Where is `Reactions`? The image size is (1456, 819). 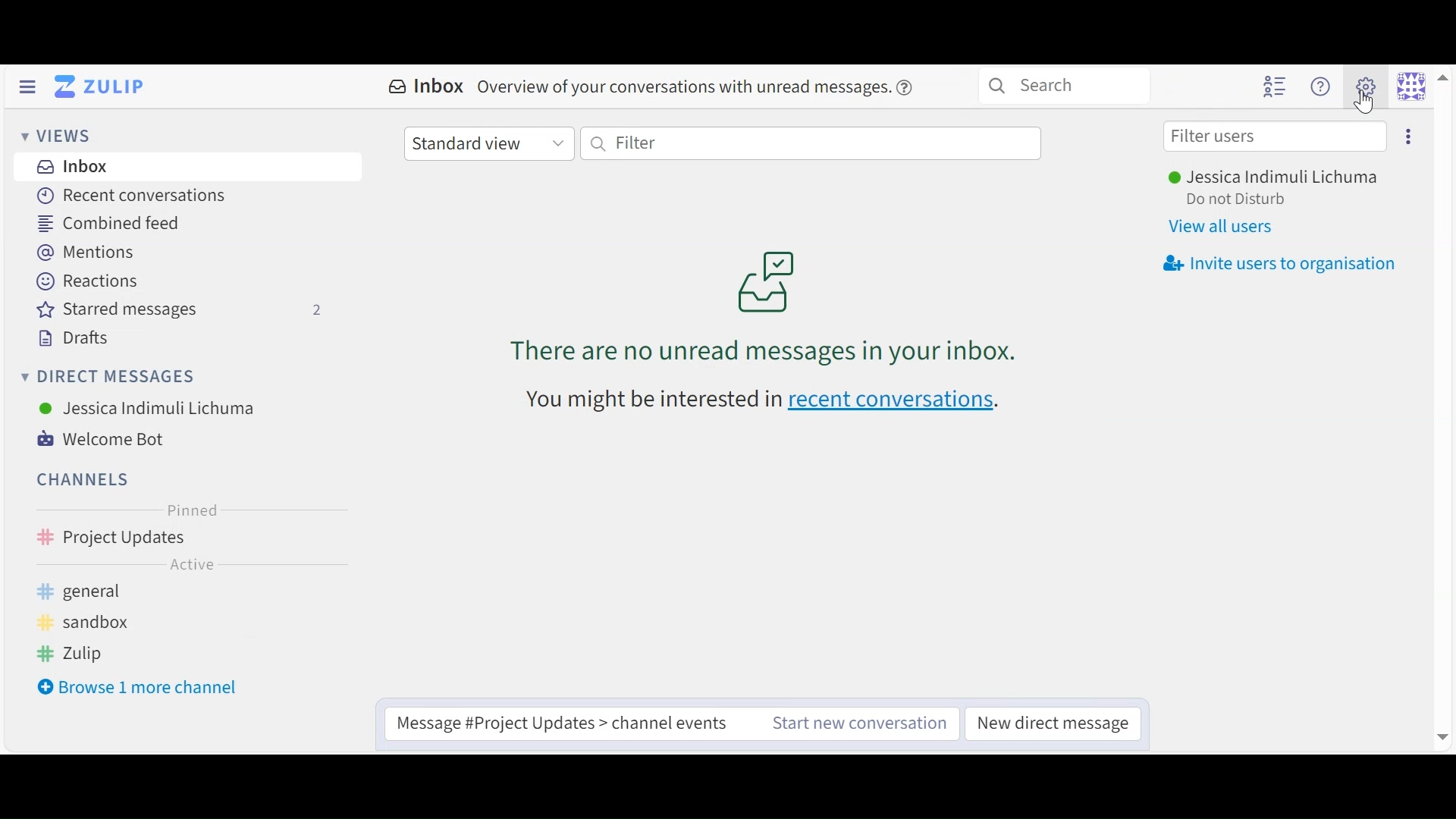 Reactions is located at coordinates (87, 281).